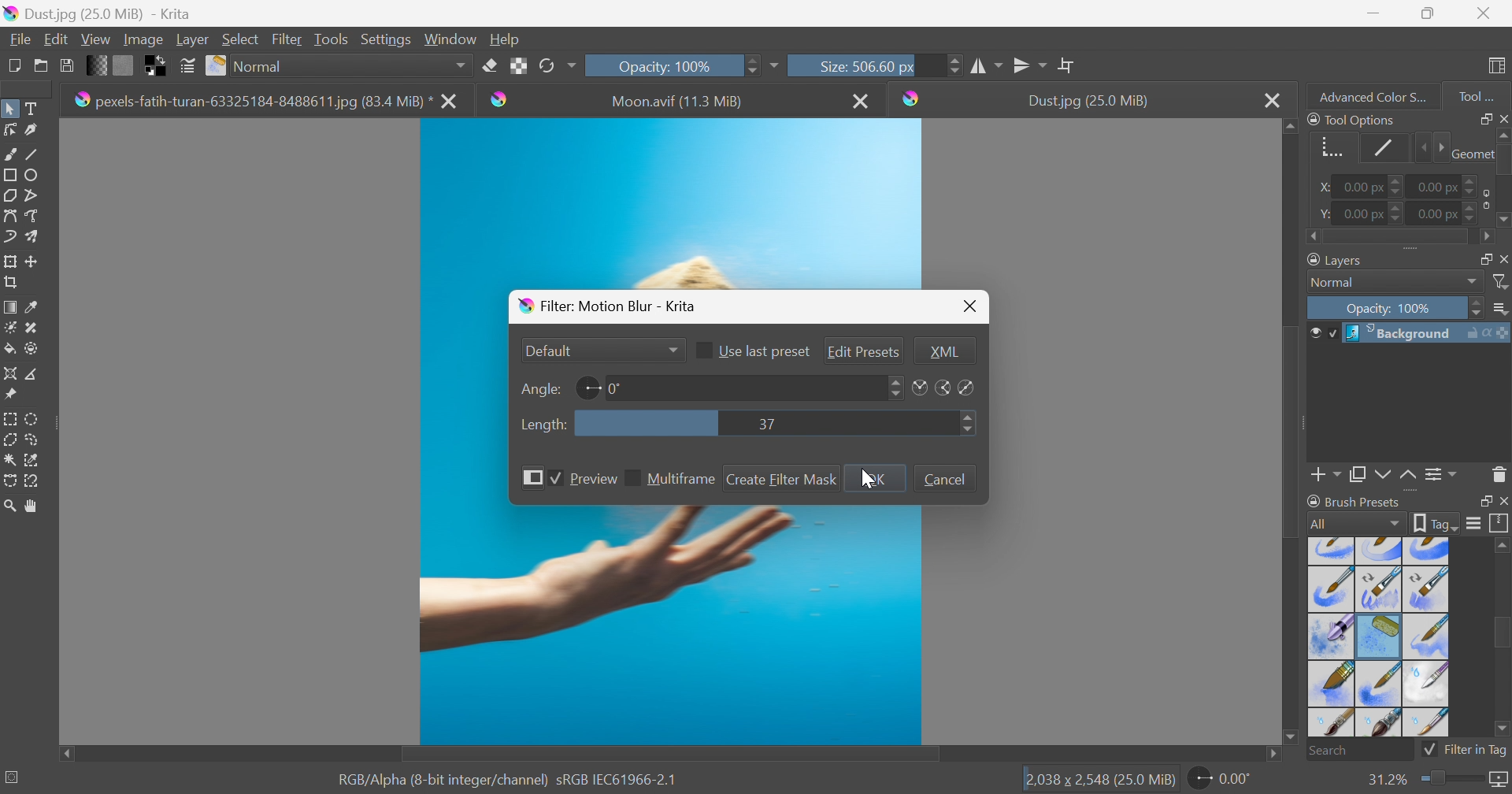 Image resolution: width=1512 pixels, height=794 pixels. What do you see at coordinates (1321, 333) in the screenshot?
I see `Visible` at bounding box center [1321, 333].